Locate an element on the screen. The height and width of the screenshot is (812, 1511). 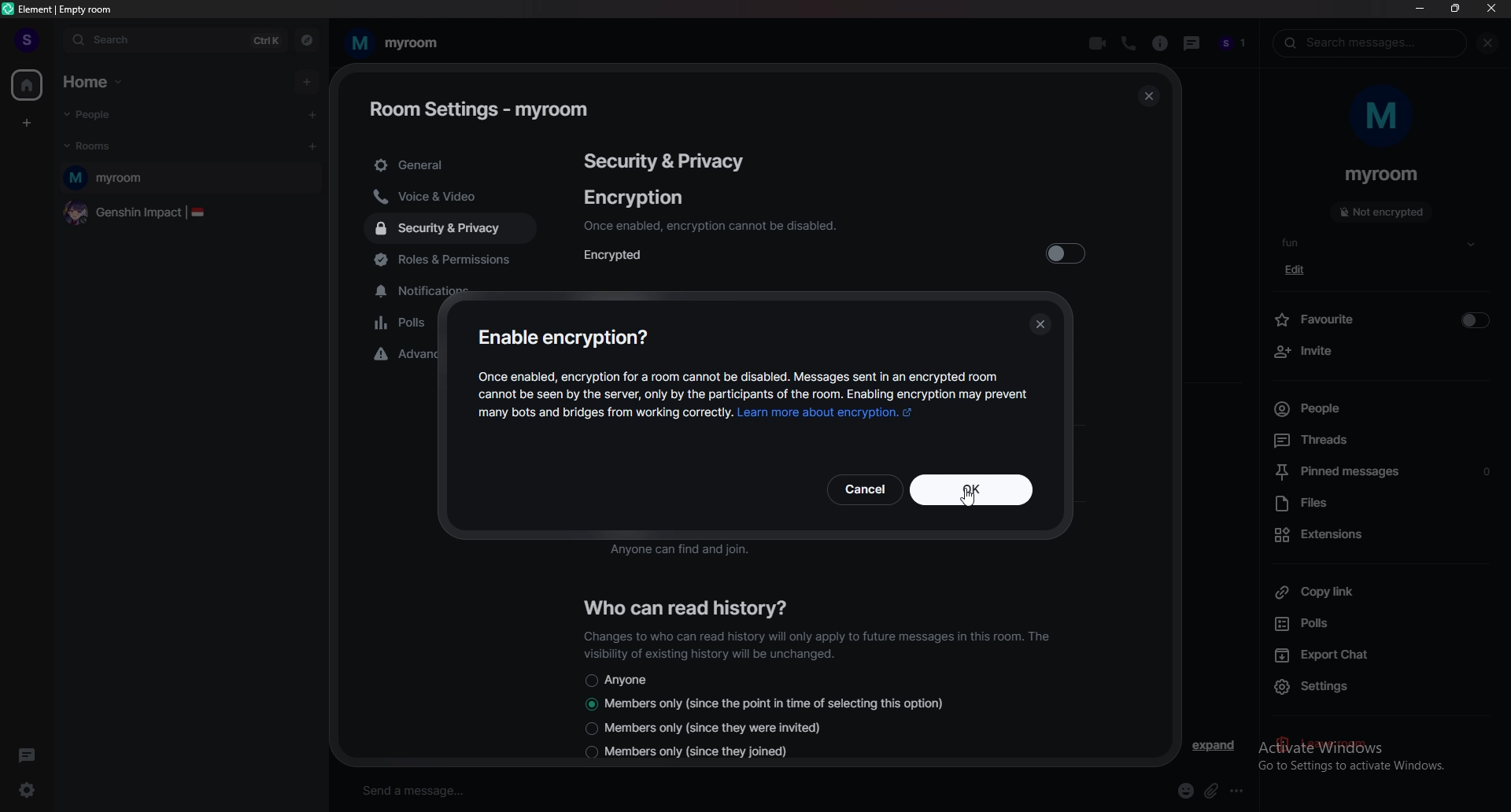
my room is located at coordinates (403, 42).